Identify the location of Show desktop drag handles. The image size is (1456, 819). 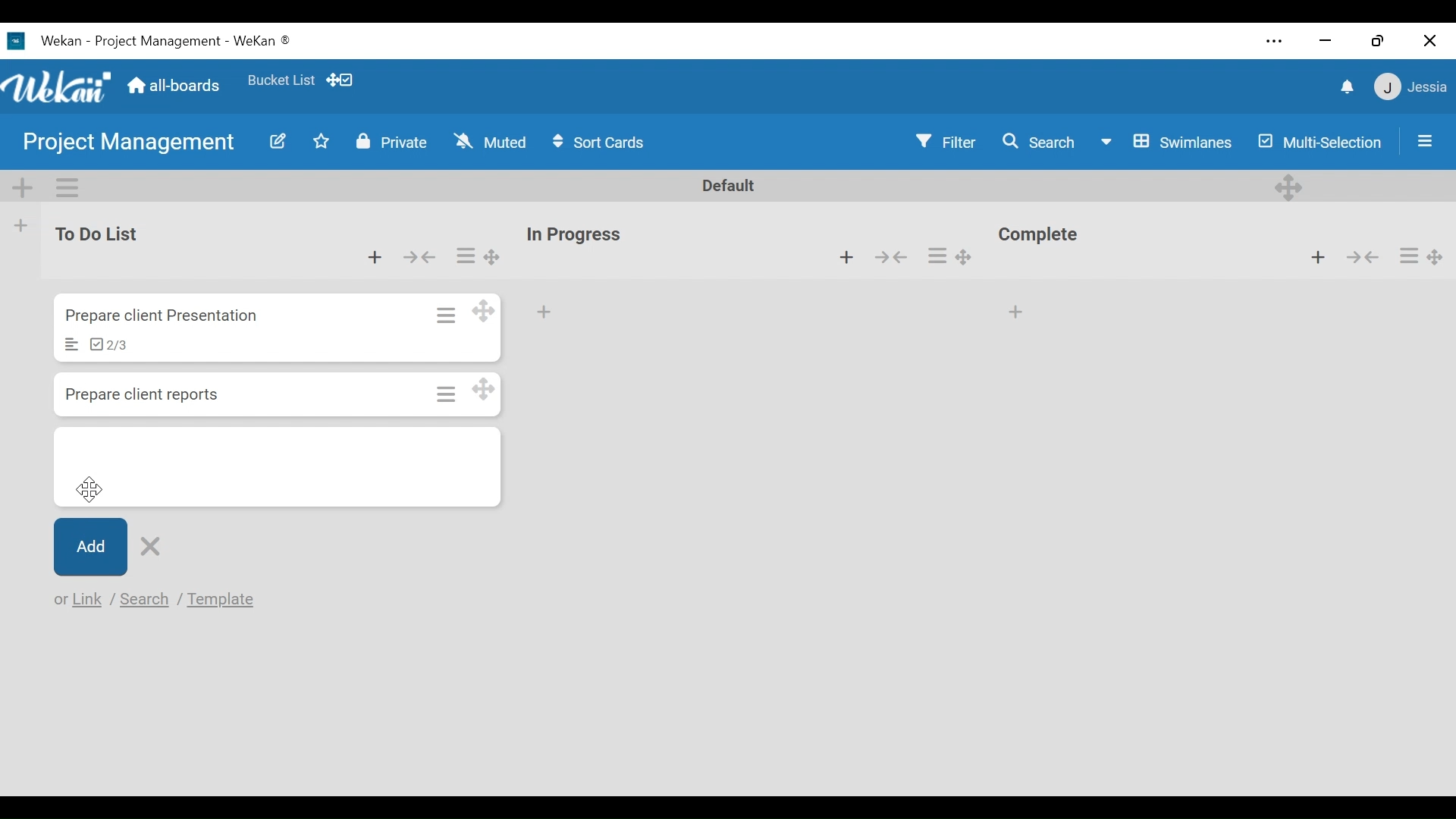
(342, 80).